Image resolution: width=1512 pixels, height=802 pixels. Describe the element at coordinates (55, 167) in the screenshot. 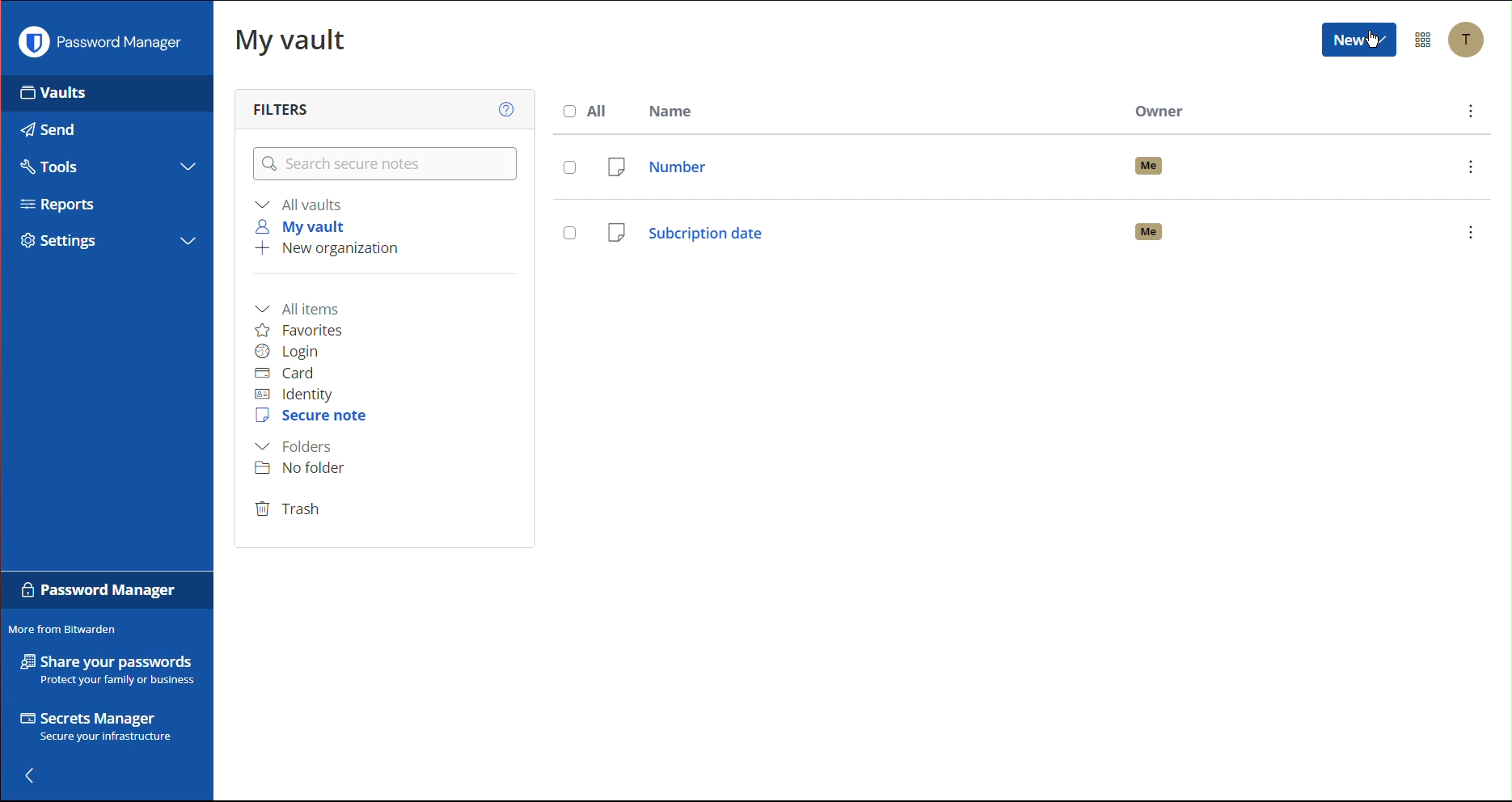

I see `Tools` at that location.